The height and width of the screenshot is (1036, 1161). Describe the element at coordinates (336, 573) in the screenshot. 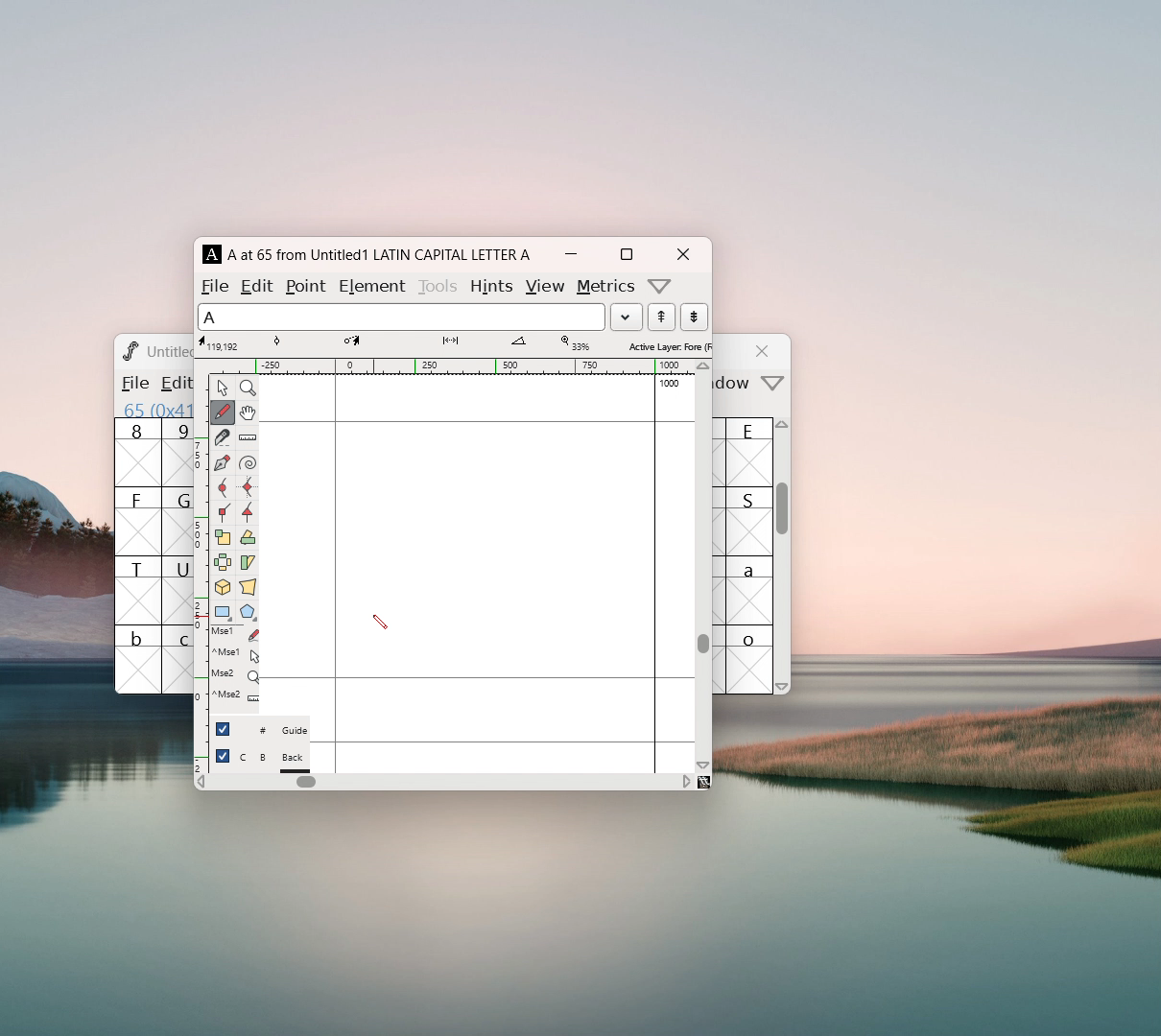

I see `left side bearing` at that location.